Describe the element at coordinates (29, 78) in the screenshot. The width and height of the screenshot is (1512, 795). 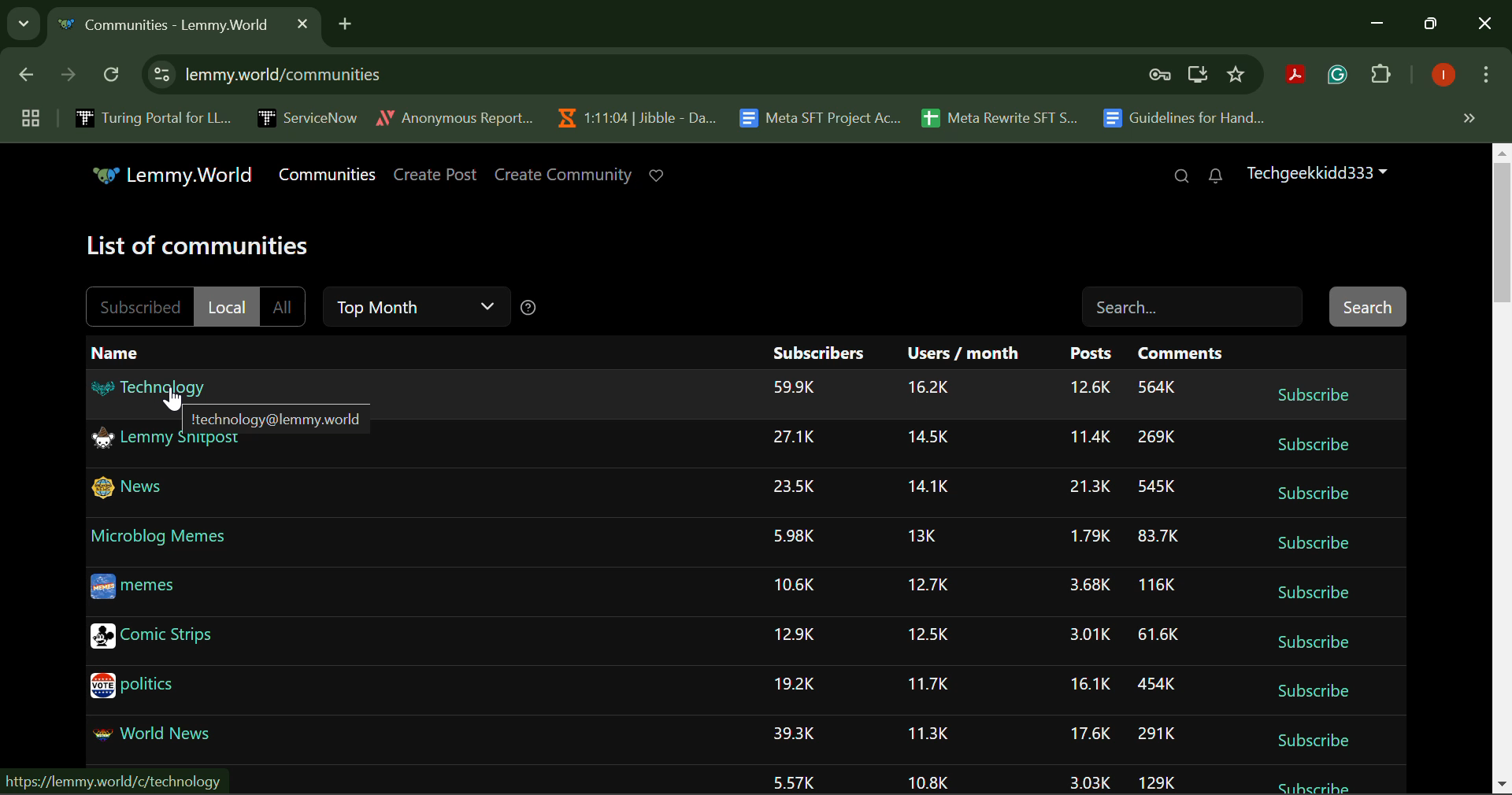
I see `Previous Page` at that location.